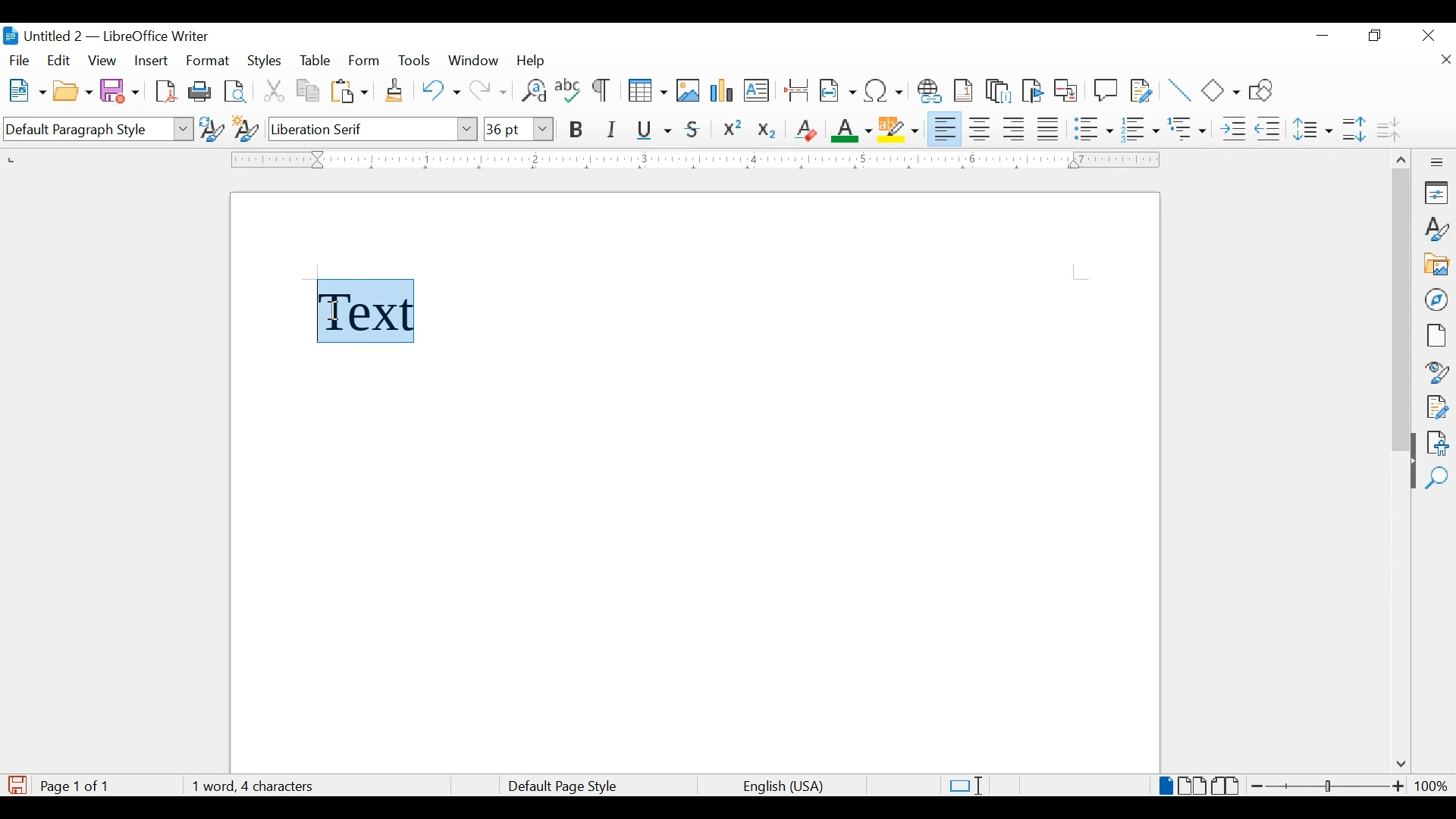 The width and height of the screenshot is (1456, 819). I want to click on drag handle, so click(1407, 475).